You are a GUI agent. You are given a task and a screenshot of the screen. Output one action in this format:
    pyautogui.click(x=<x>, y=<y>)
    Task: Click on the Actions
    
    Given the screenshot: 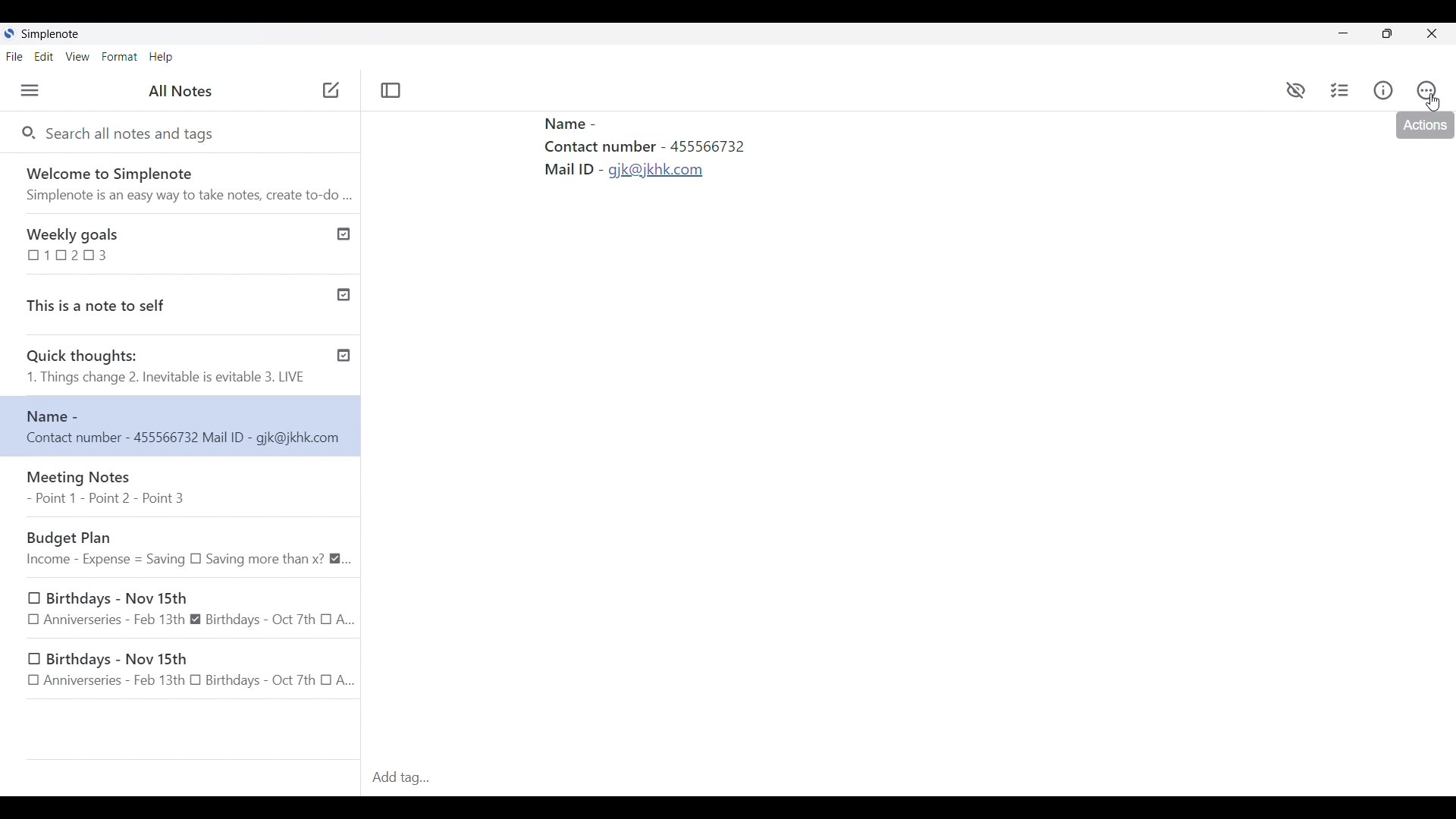 What is the action you would take?
    pyautogui.click(x=1429, y=89)
    